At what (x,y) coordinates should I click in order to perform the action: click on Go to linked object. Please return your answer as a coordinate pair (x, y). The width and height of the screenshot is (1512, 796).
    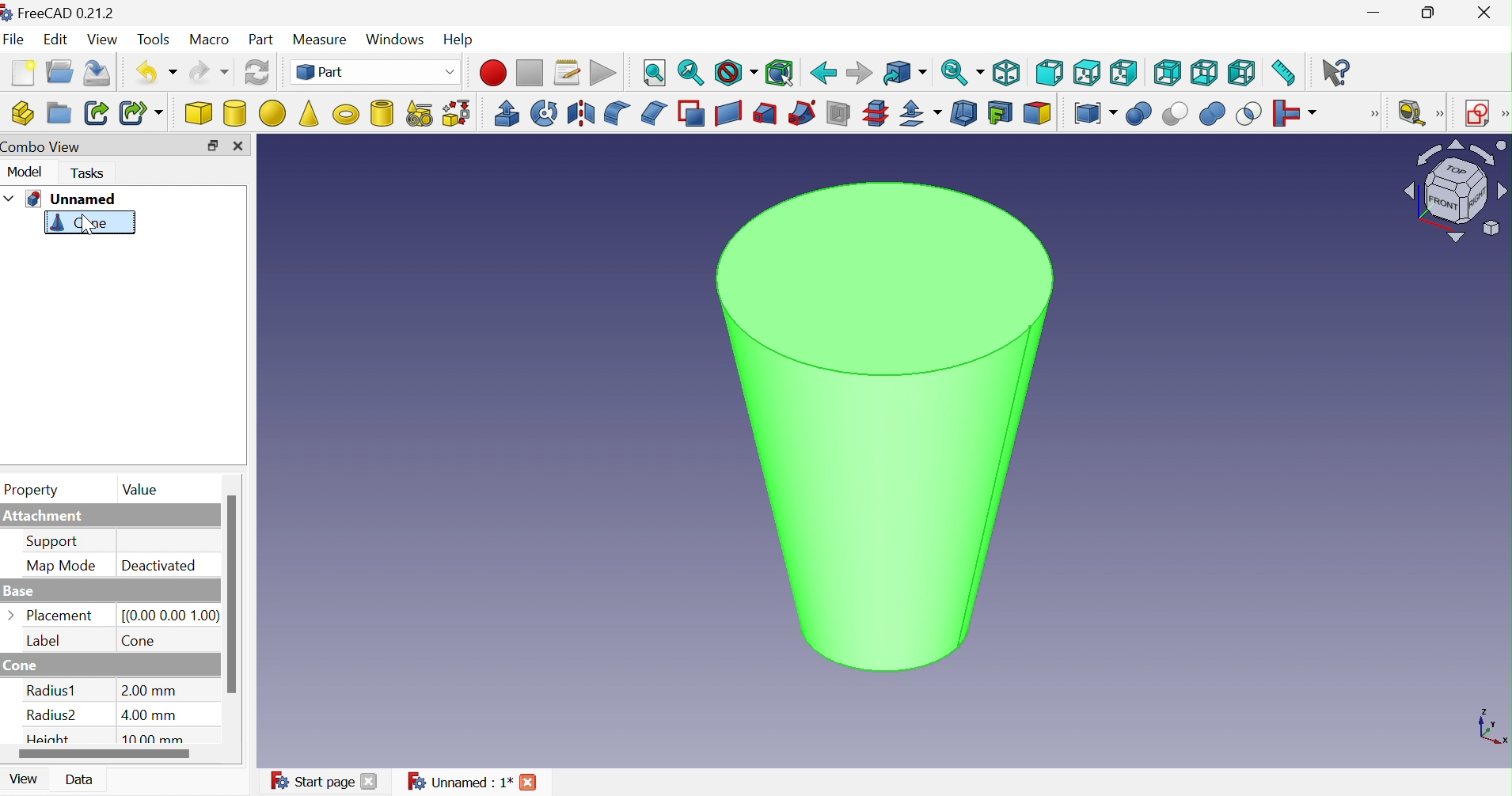
    Looking at the image, I should click on (904, 74).